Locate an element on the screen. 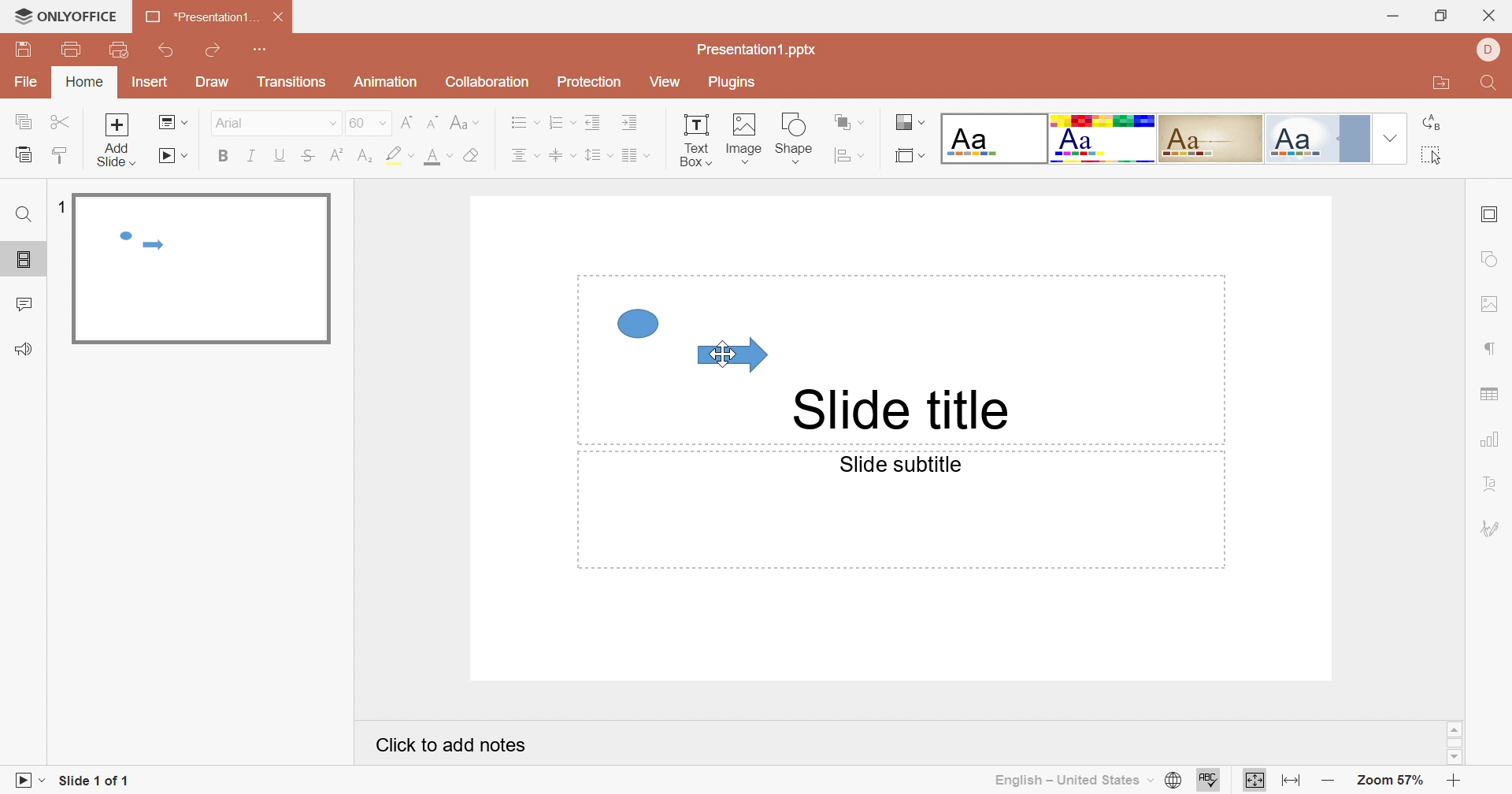 The image size is (1512, 794). Classic is located at coordinates (1211, 141).